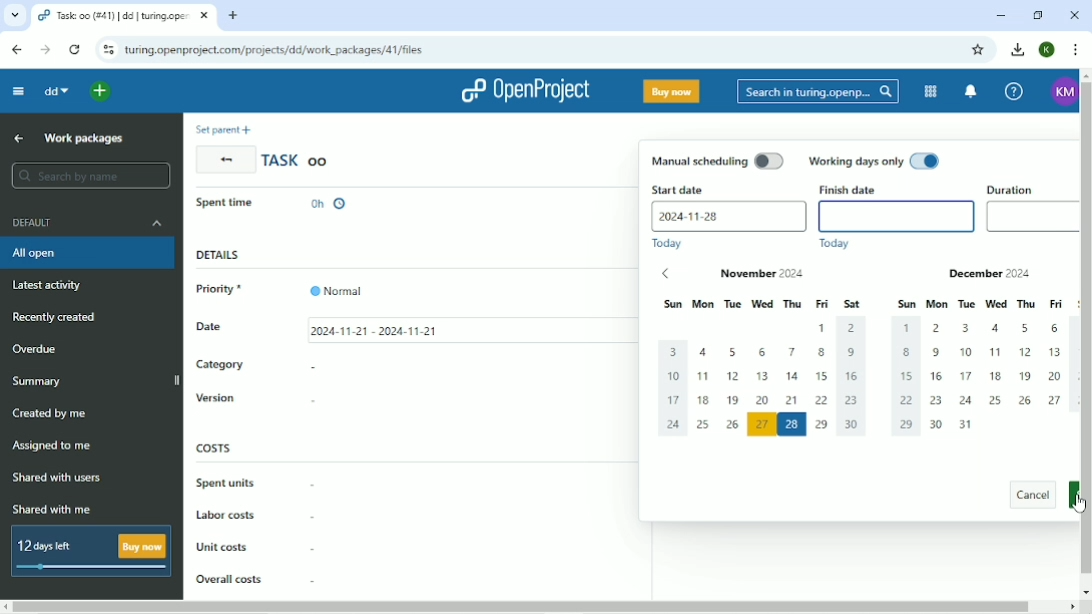  What do you see at coordinates (1019, 50) in the screenshot?
I see `Downloads` at bounding box center [1019, 50].